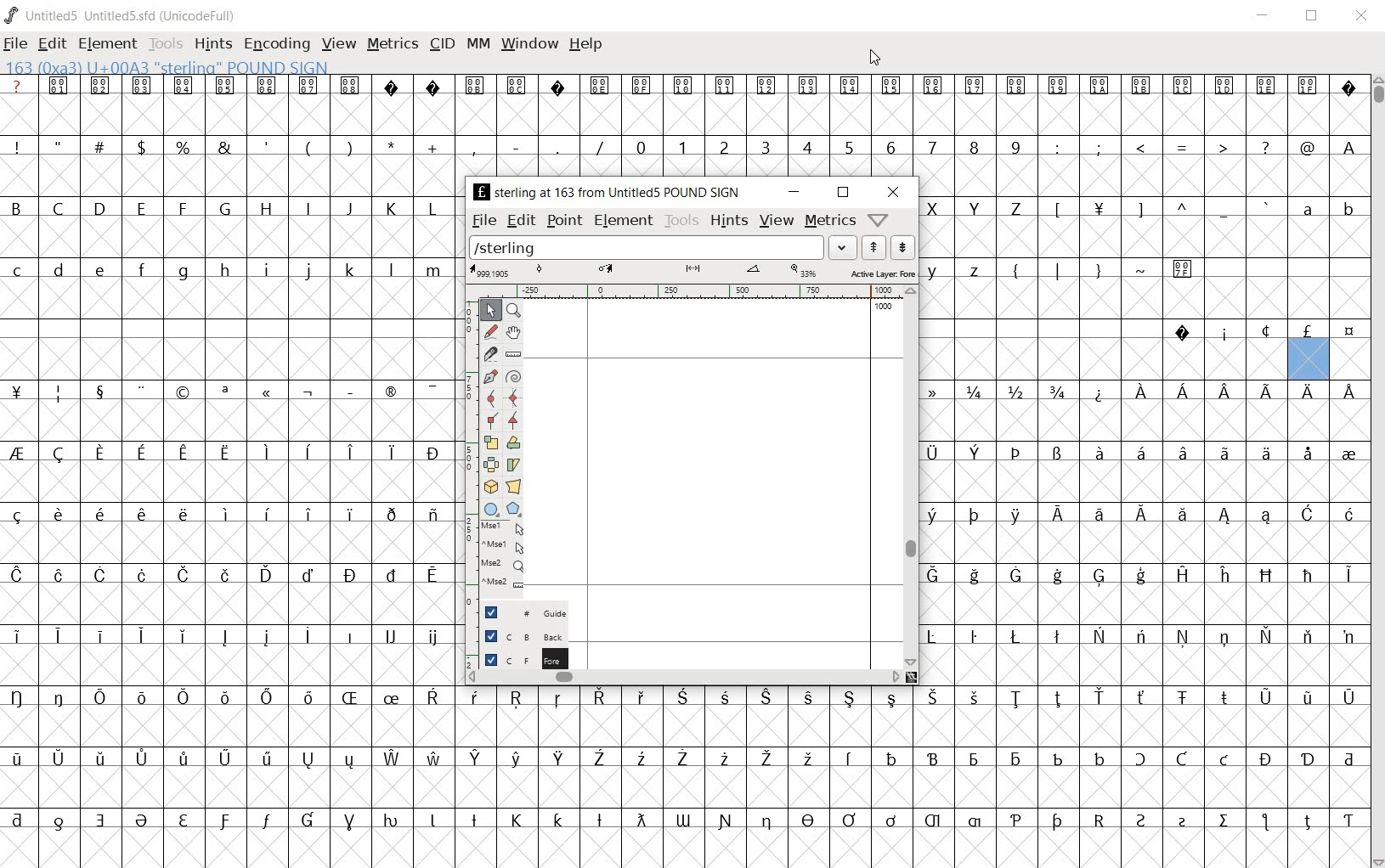  I want to click on Symbol, so click(99, 513).